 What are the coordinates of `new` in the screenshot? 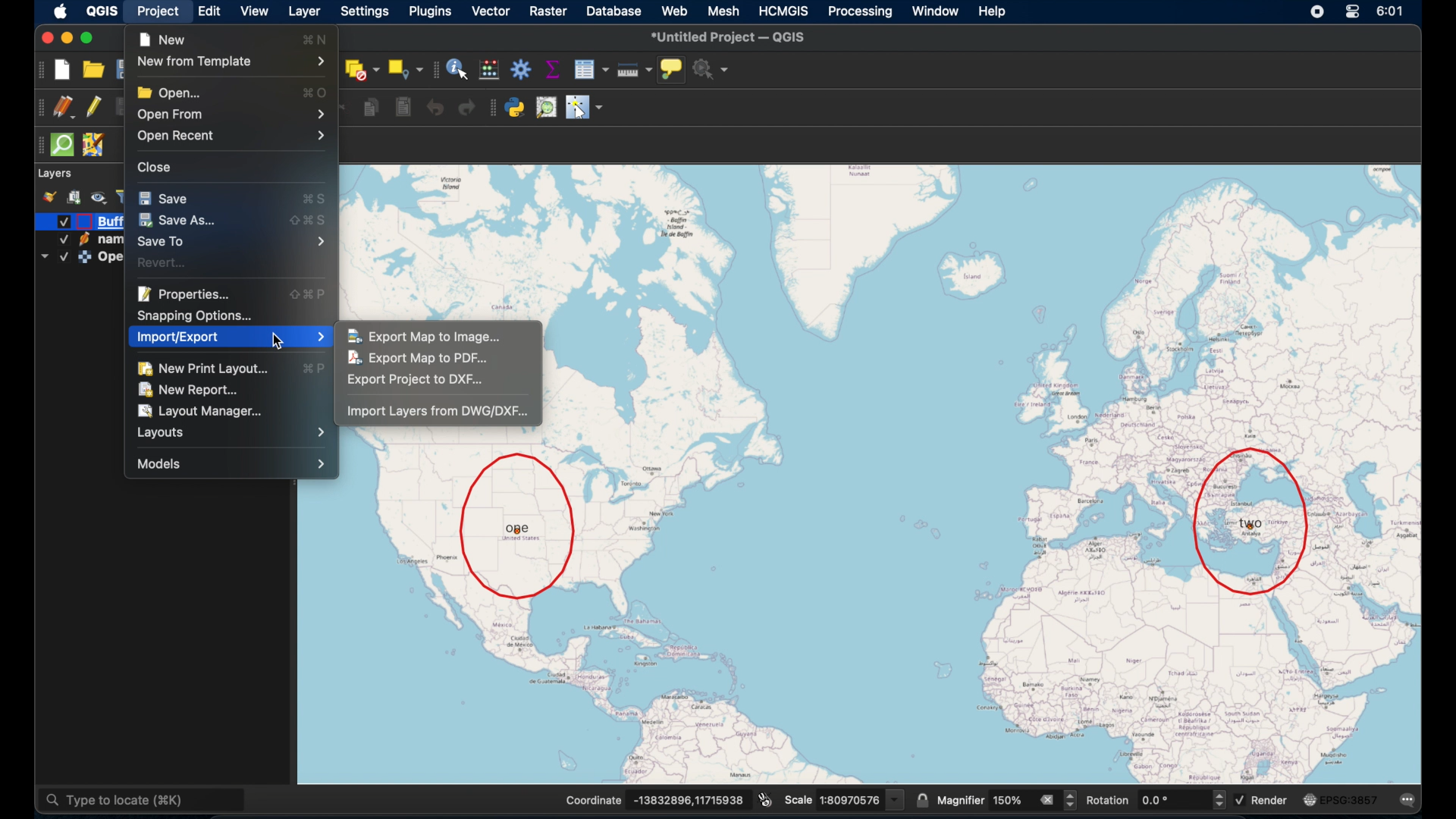 It's located at (163, 37).